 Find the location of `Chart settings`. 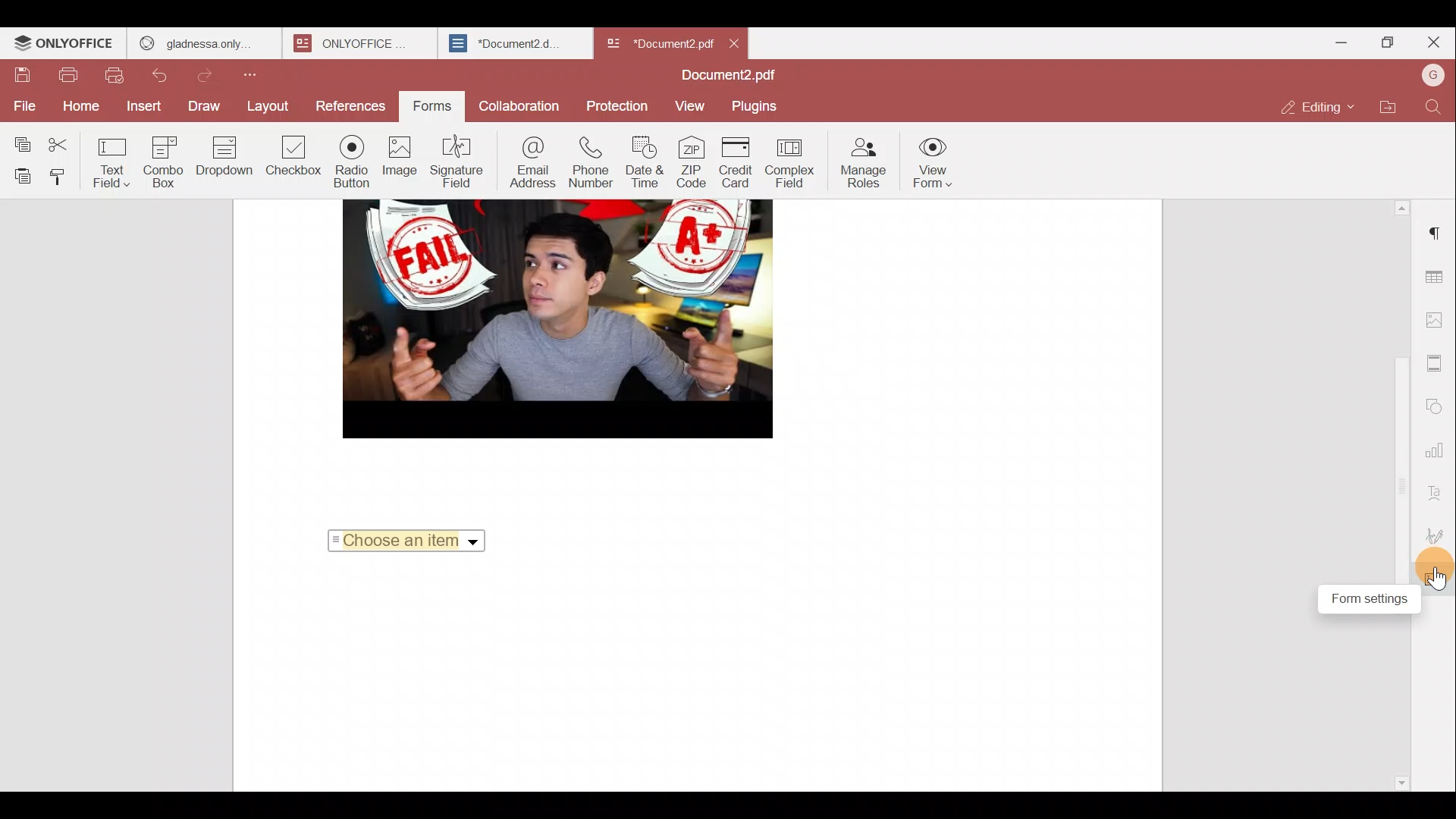

Chart settings is located at coordinates (1439, 452).